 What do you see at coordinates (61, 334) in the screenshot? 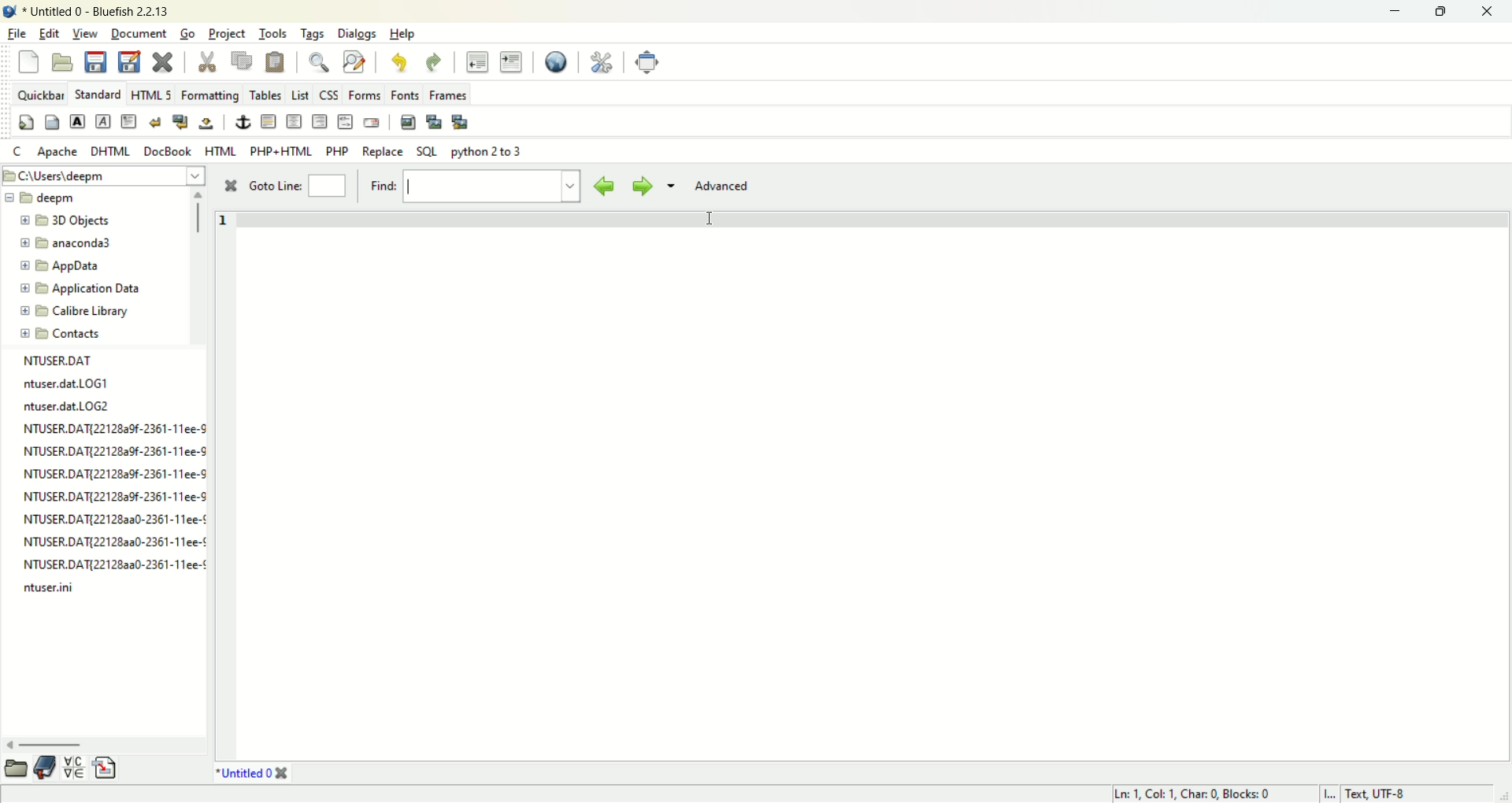
I see `contacts` at bounding box center [61, 334].